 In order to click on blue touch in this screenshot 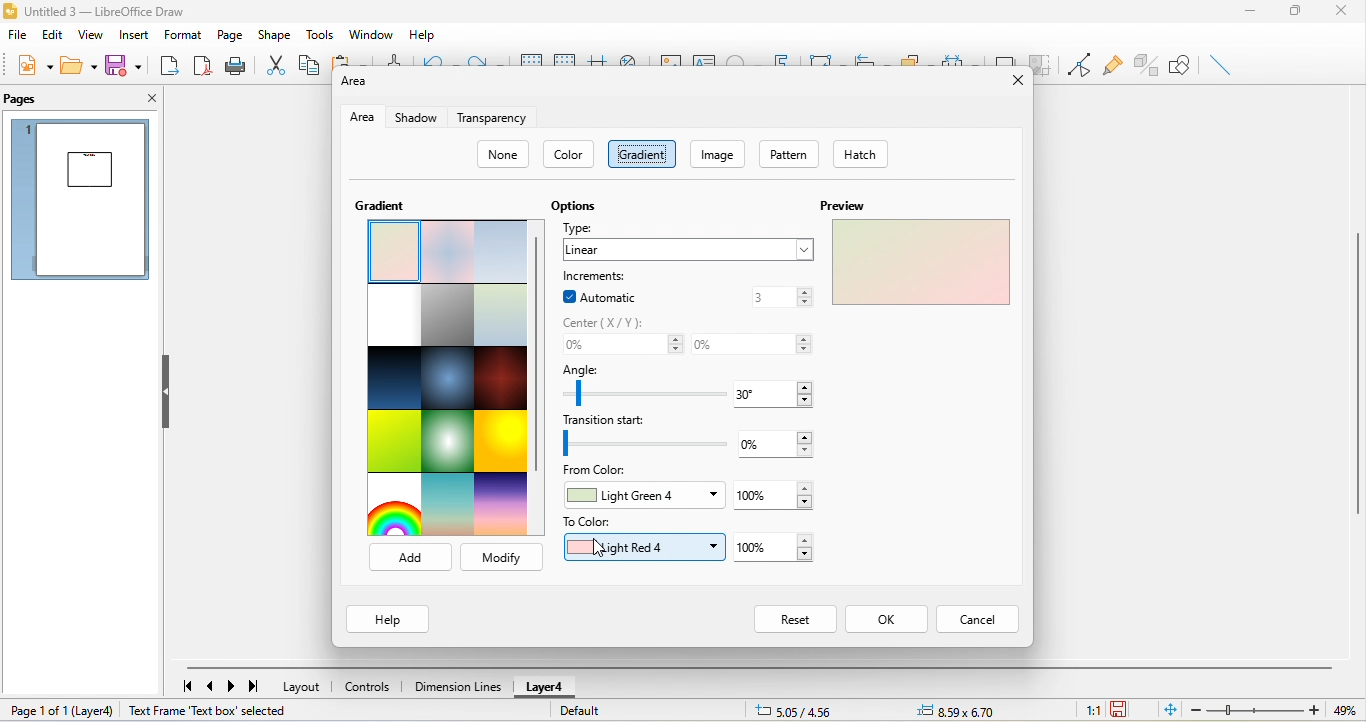, I will do `click(499, 253)`.